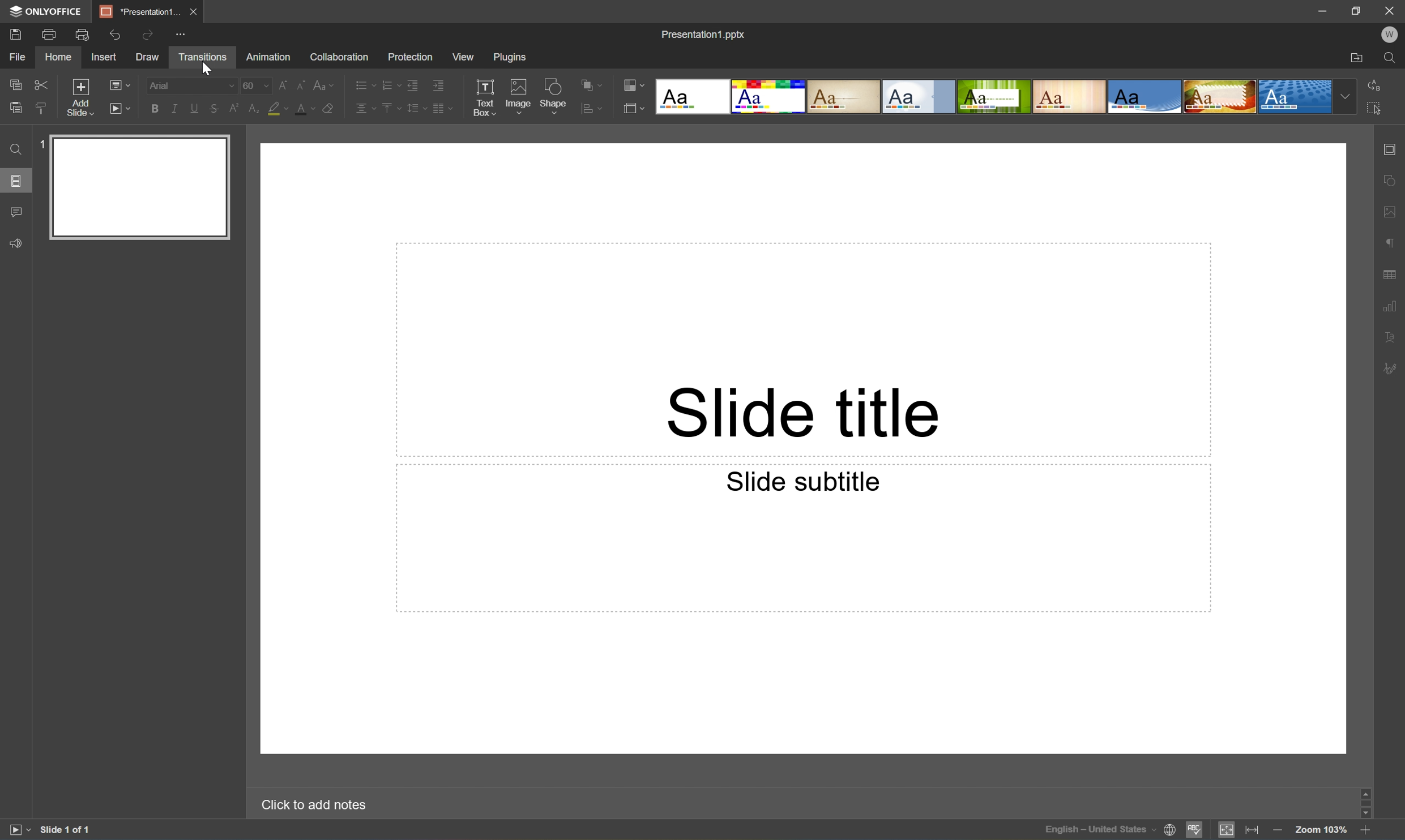 This screenshot has height=840, width=1405. What do you see at coordinates (300, 83) in the screenshot?
I see `Decrement font size` at bounding box center [300, 83].